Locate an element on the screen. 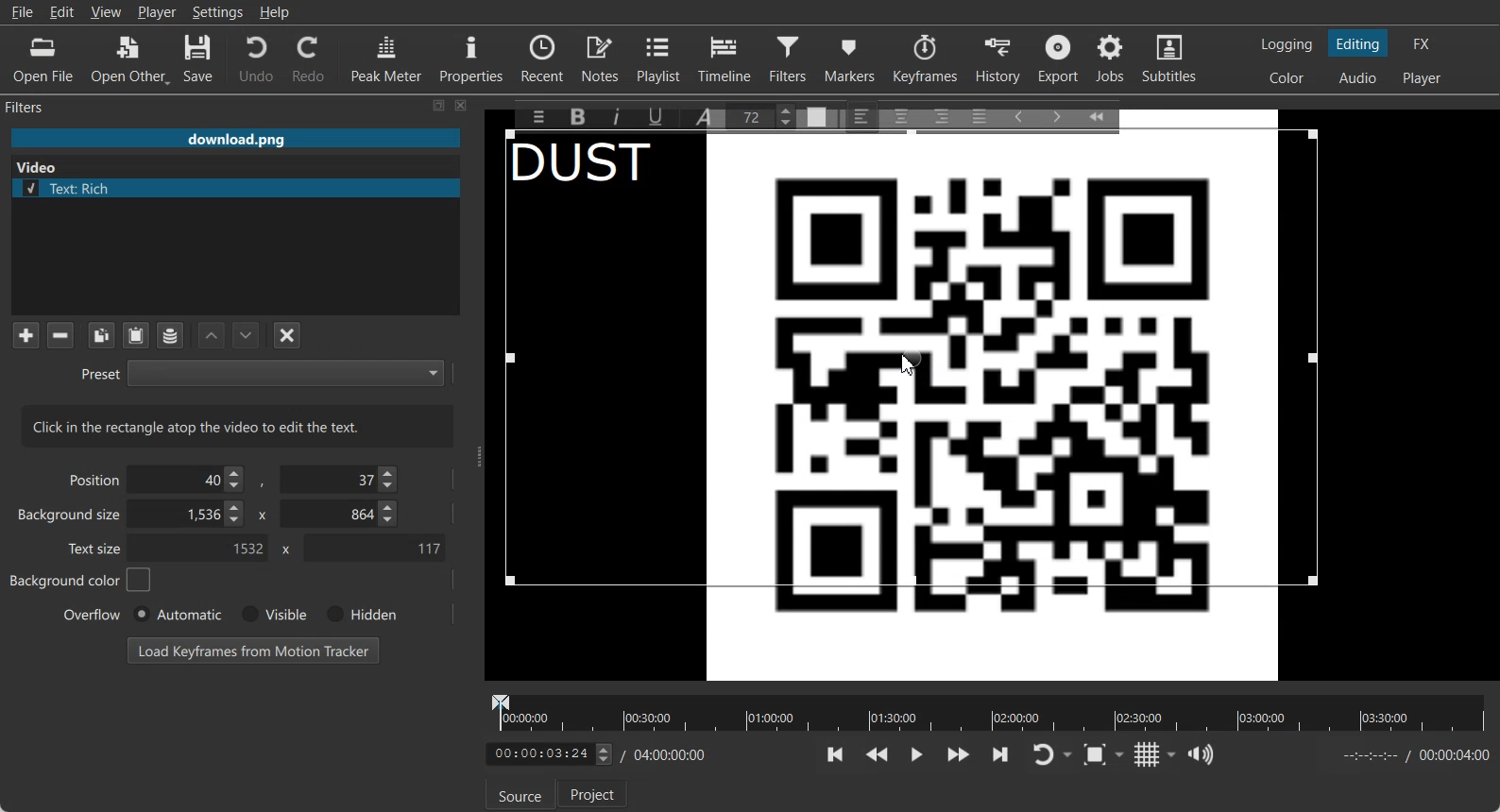 The image size is (1500, 812). Play Quickly backward is located at coordinates (878, 754).